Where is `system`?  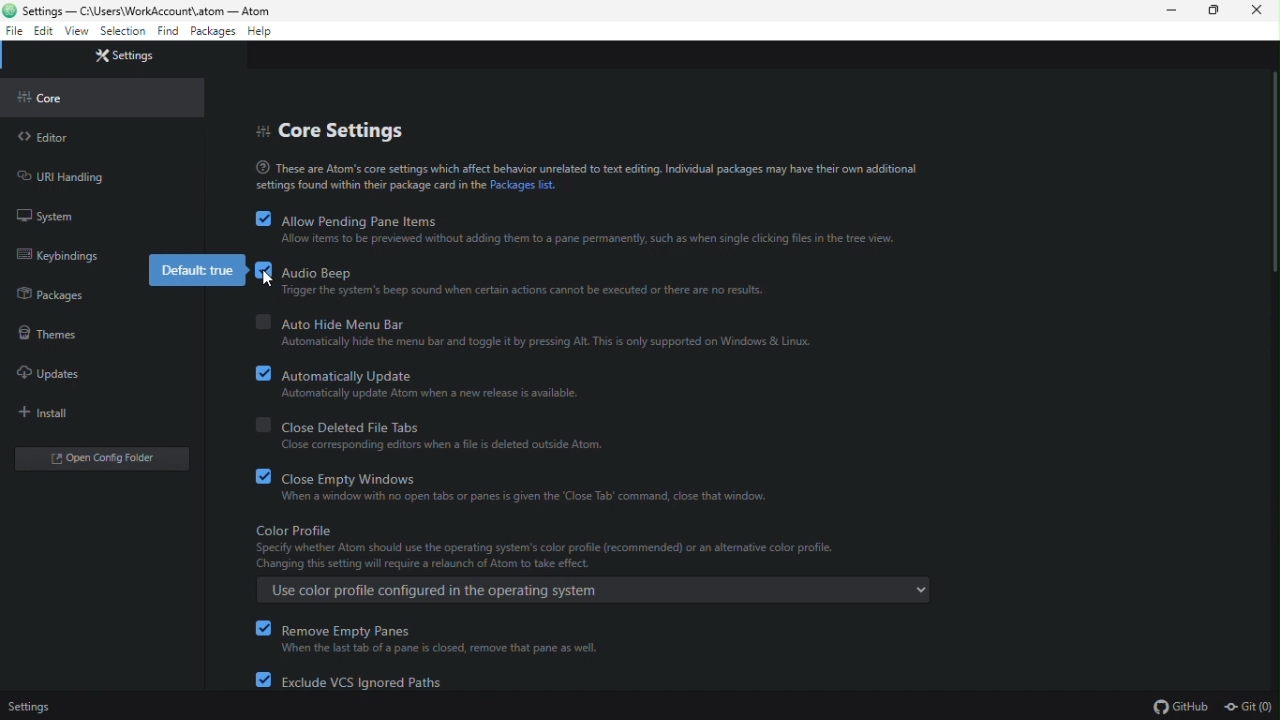
system is located at coordinates (49, 217).